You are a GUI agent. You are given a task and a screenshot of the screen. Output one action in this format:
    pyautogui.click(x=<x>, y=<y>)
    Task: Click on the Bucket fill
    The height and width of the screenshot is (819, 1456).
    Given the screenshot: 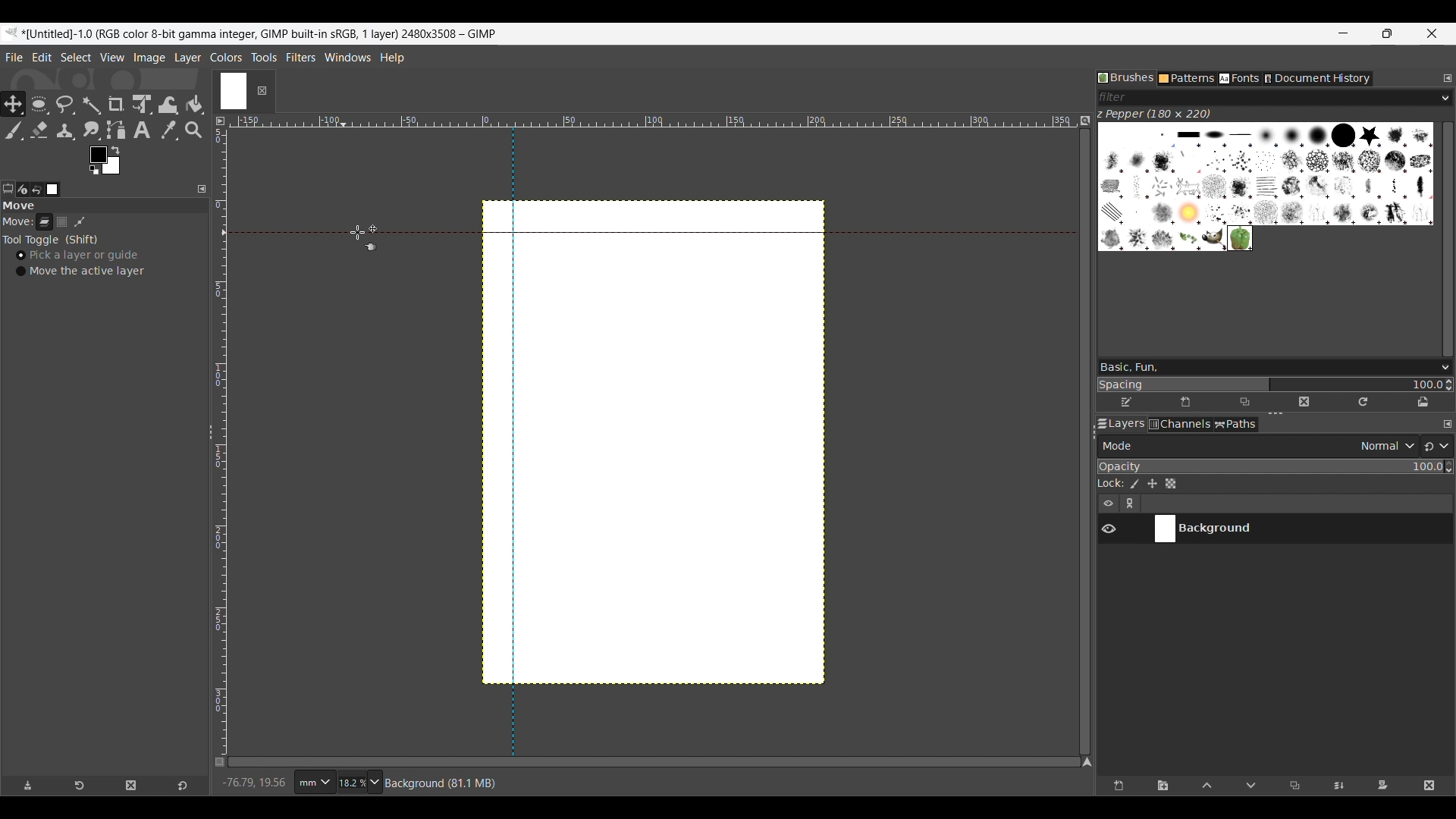 What is the action you would take?
    pyautogui.click(x=195, y=105)
    